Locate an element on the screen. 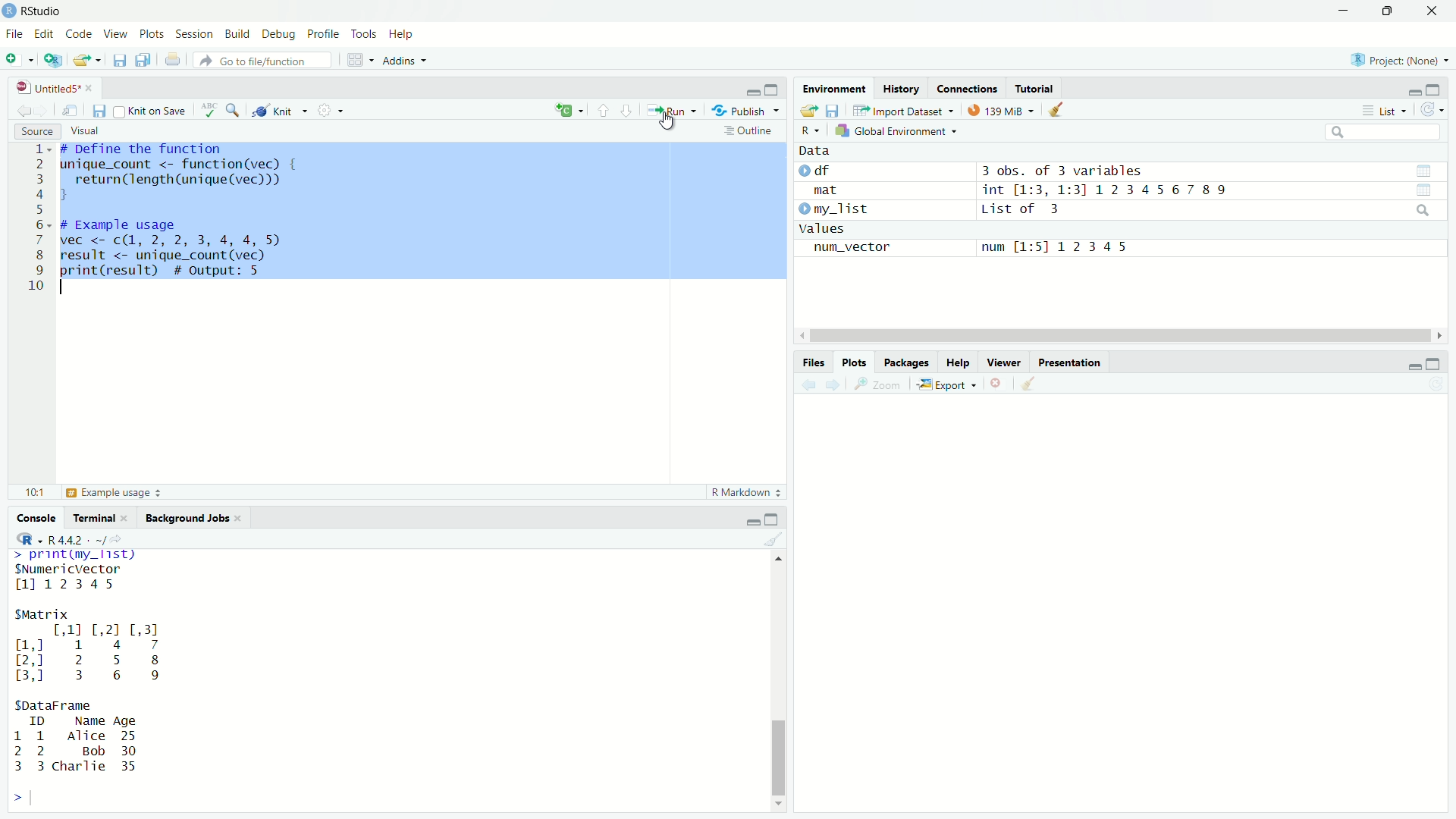 The width and height of the screenshot is (1456, 819). forward is located at coordinates (42, 110).